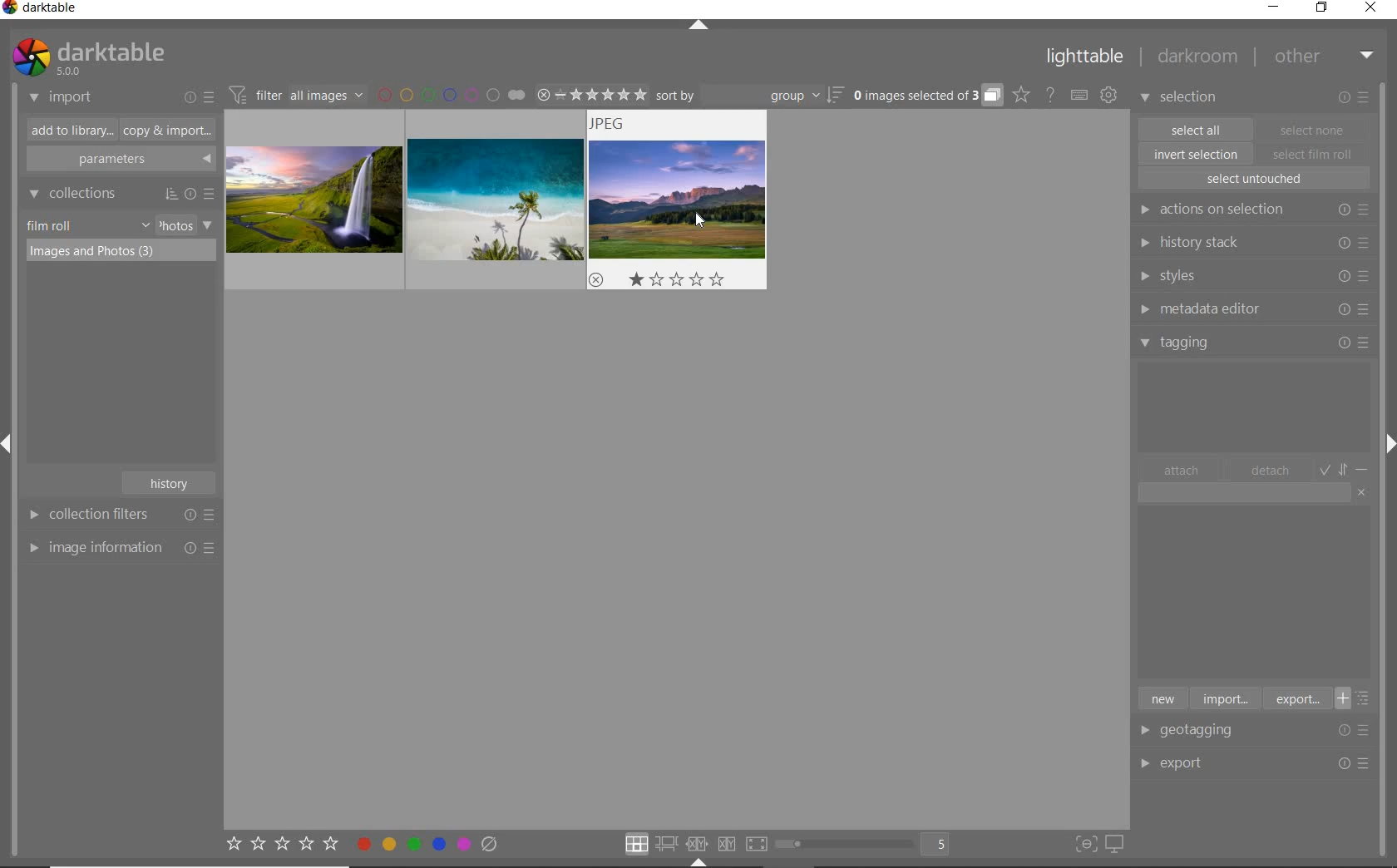  I want to click on geotagging, so click(1202, 732).